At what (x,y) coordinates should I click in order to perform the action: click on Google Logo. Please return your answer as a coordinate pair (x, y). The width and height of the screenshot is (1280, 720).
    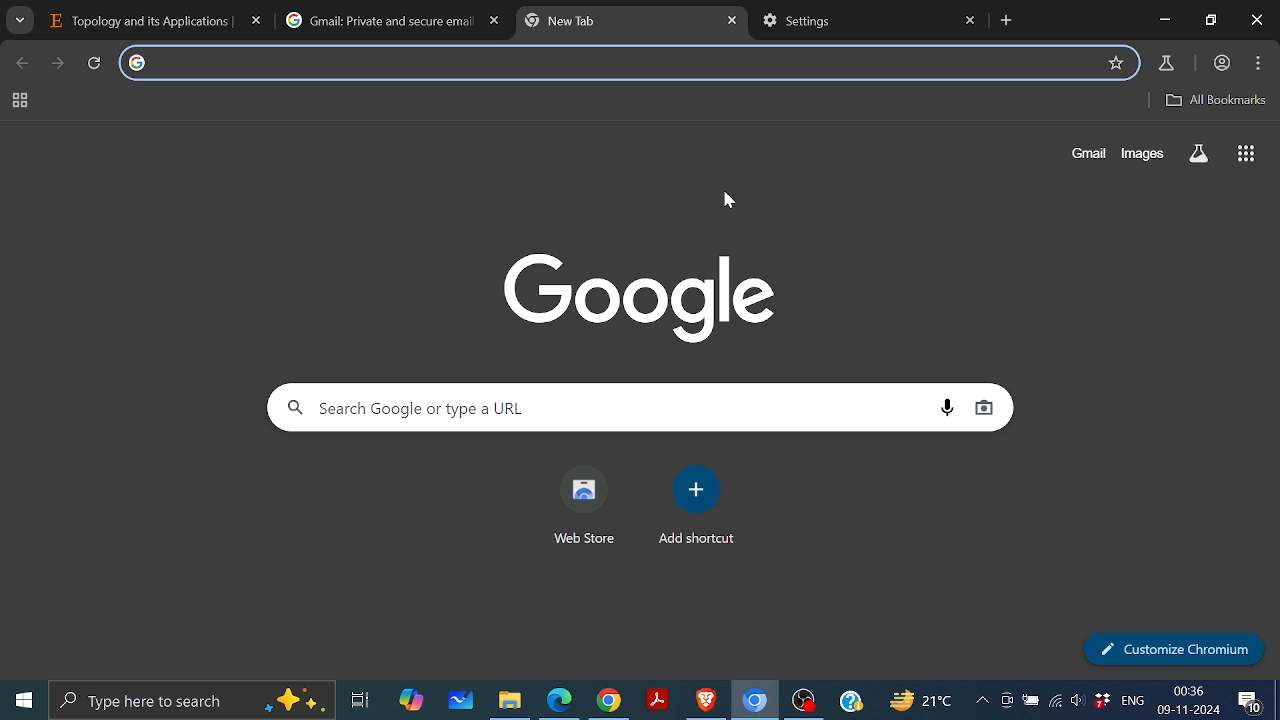
    Looking at the image, I should click on (661, 294).